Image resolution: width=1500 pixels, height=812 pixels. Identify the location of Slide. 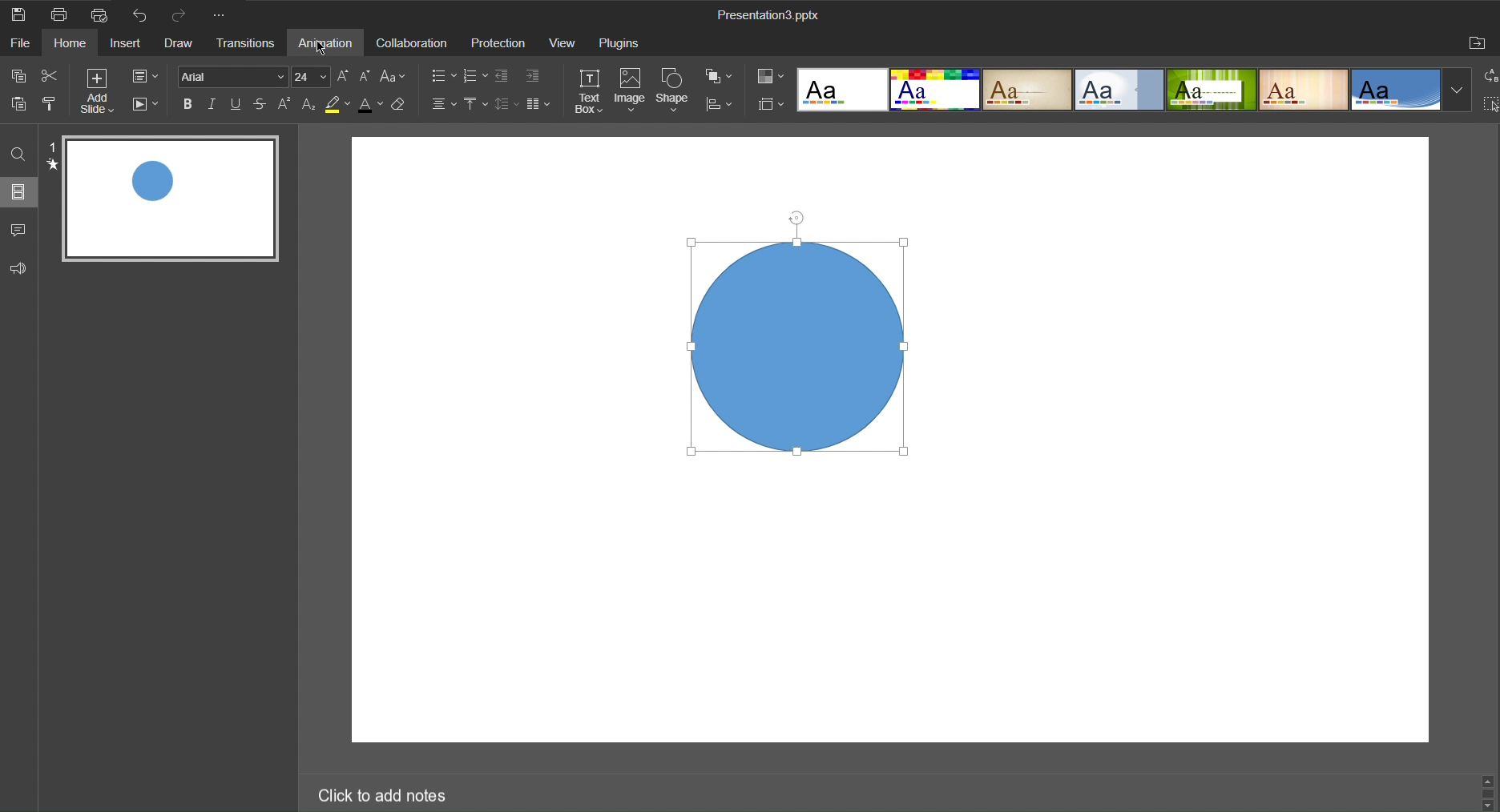
(20, 193).